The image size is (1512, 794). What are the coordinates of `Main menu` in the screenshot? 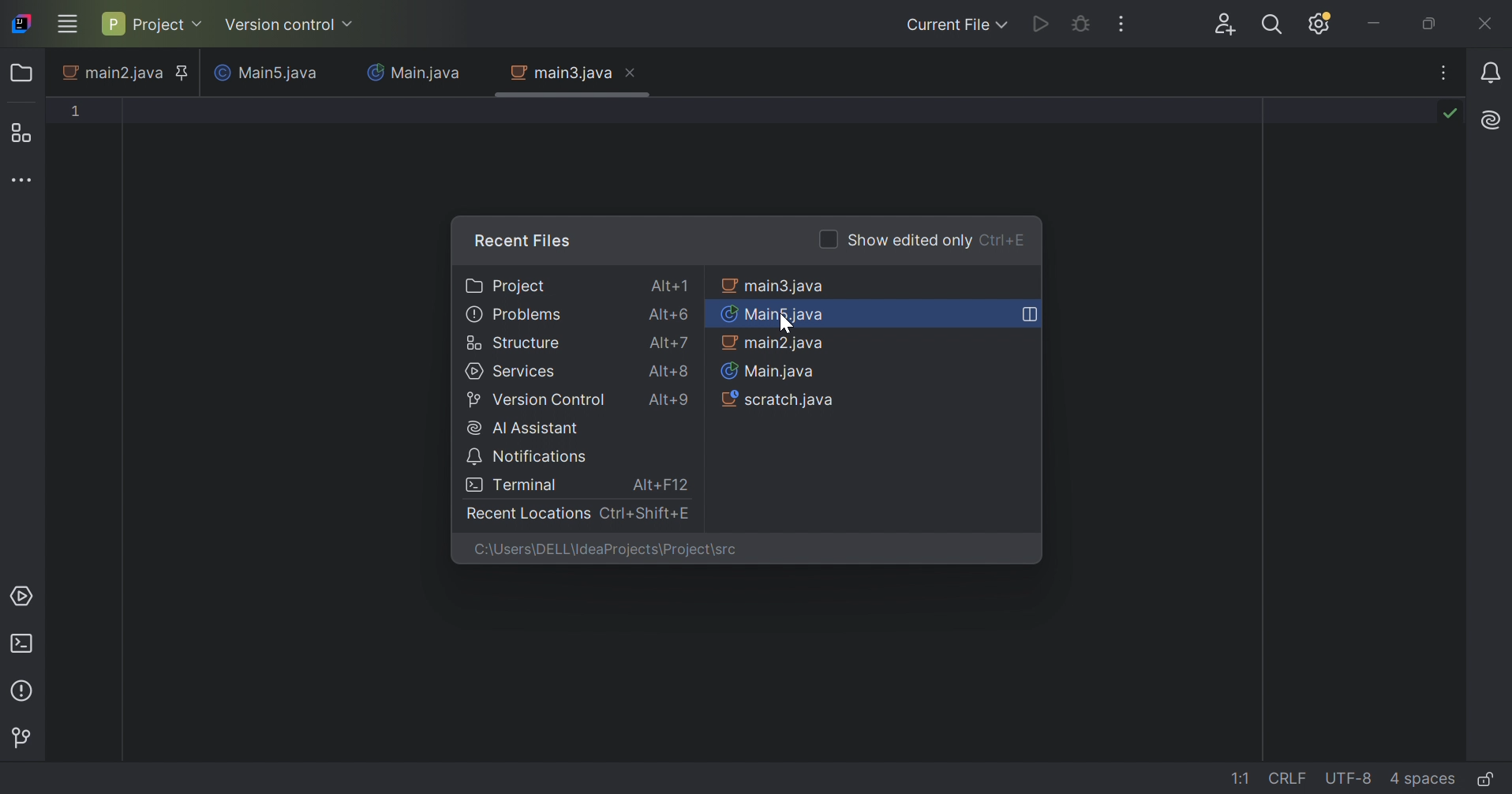 It's located at (68, 25).